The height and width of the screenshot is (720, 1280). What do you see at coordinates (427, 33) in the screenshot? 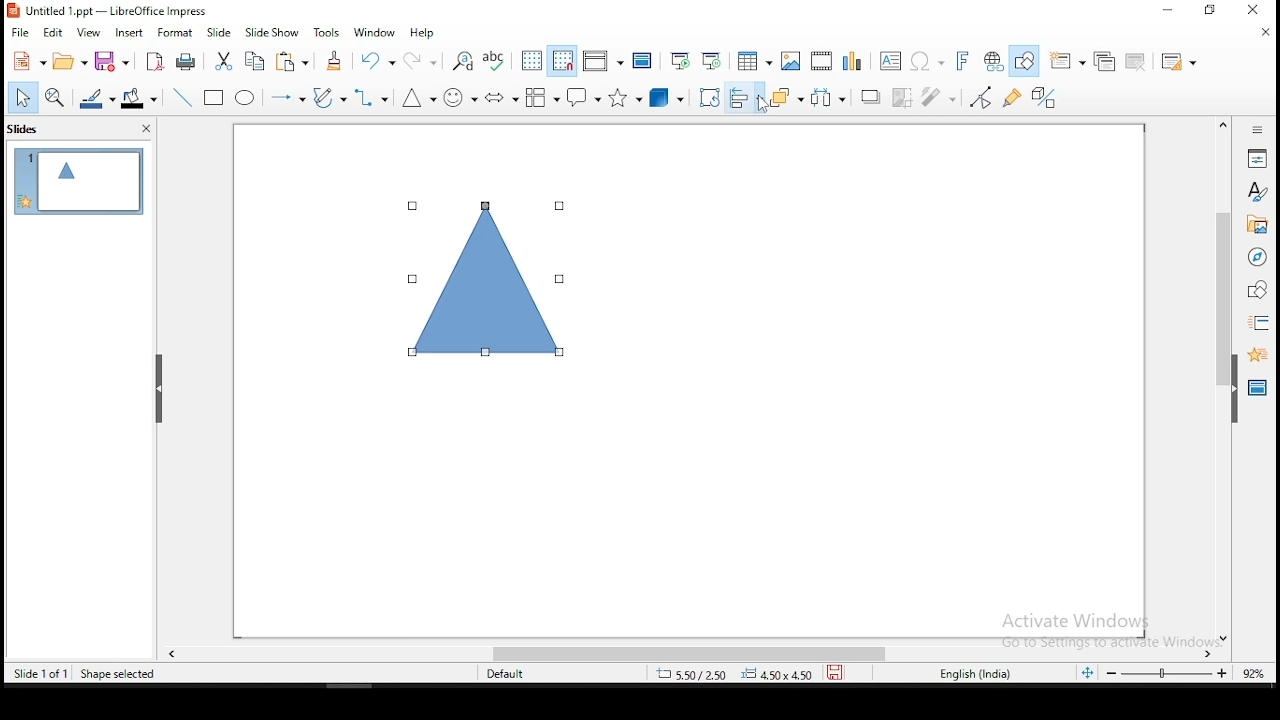
I see `help` at bounding box center [427, 33].